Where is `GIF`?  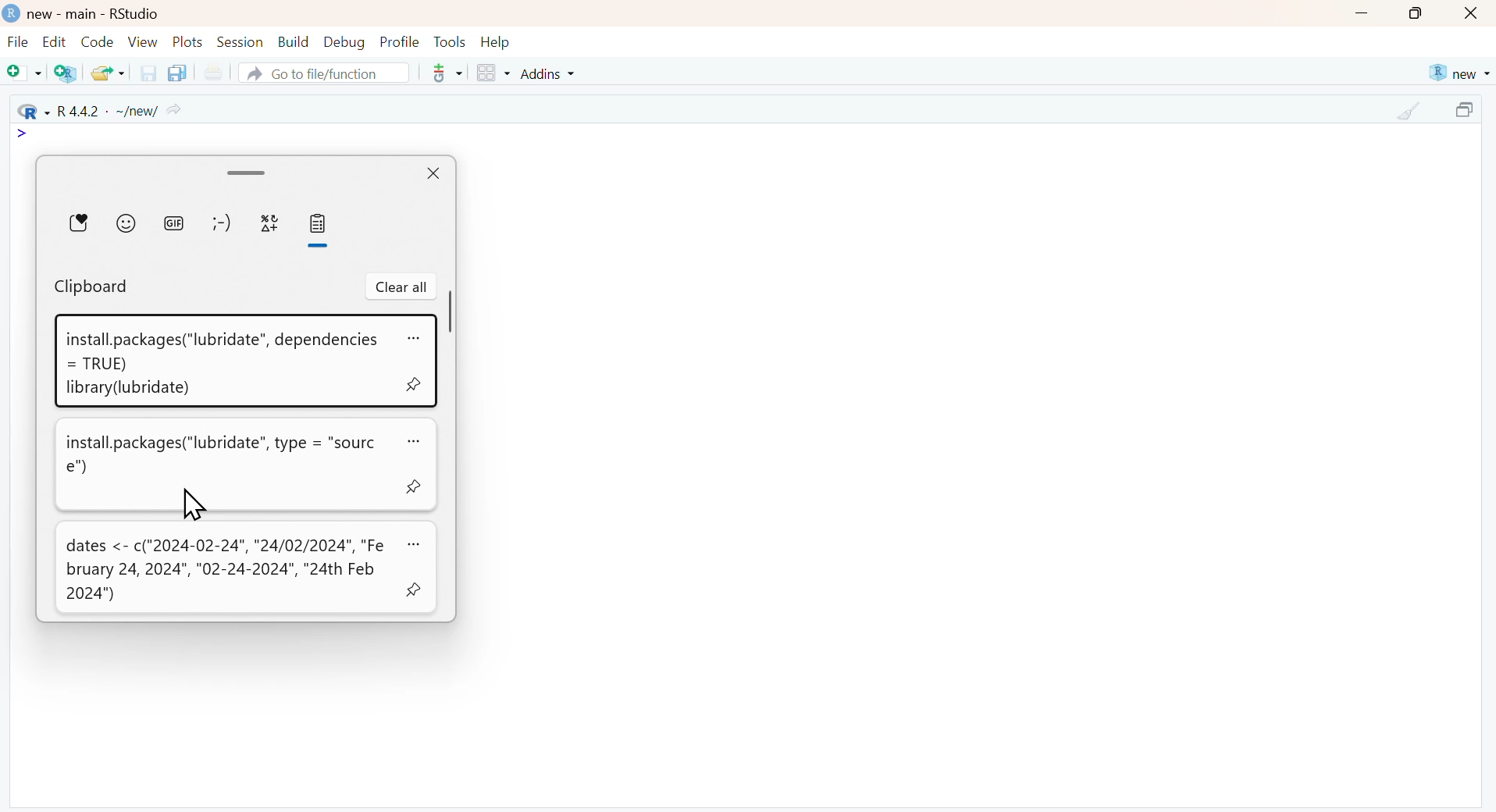 GIF is located at coordinates (173, 223).